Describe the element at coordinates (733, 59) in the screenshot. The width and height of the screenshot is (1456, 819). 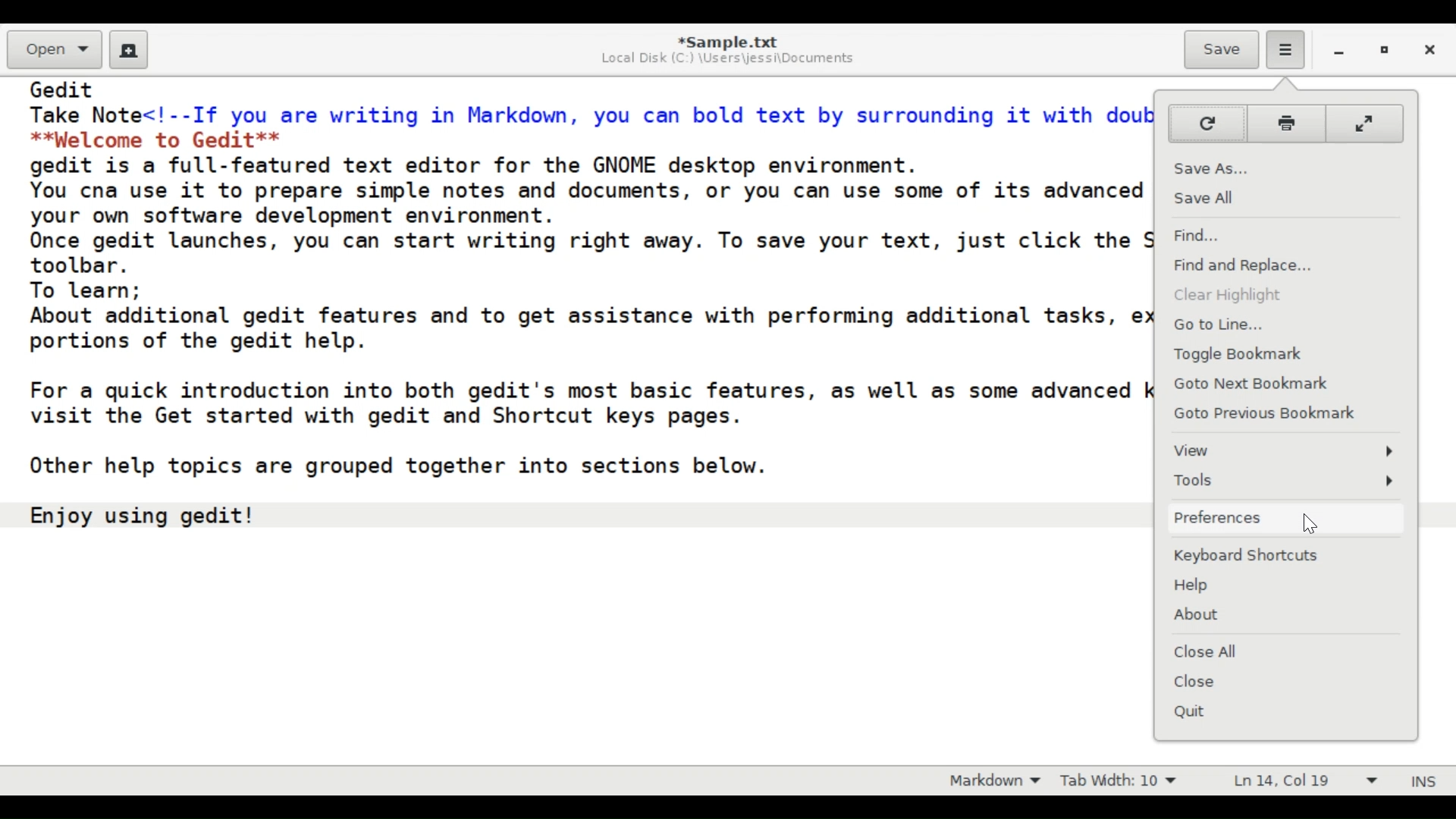
I see `Local Disk (C:) \Users\jessi\Documents` at that location.